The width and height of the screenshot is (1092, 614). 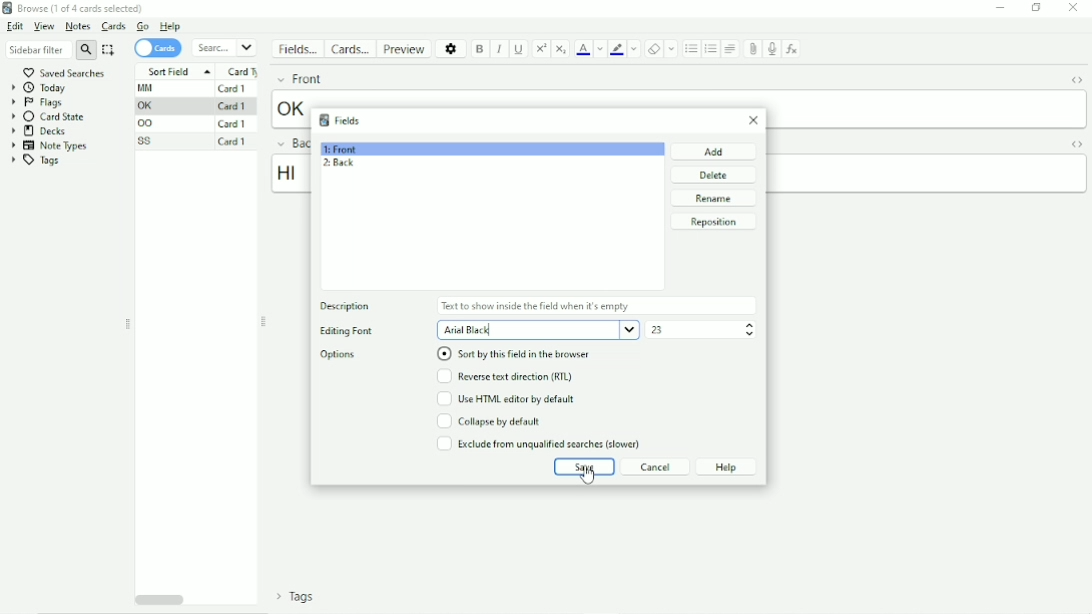 What do you see at coordinates (513, 354) in the screenshot?
I see `Sort by this field in the browser` at bounding box center [513, 354].